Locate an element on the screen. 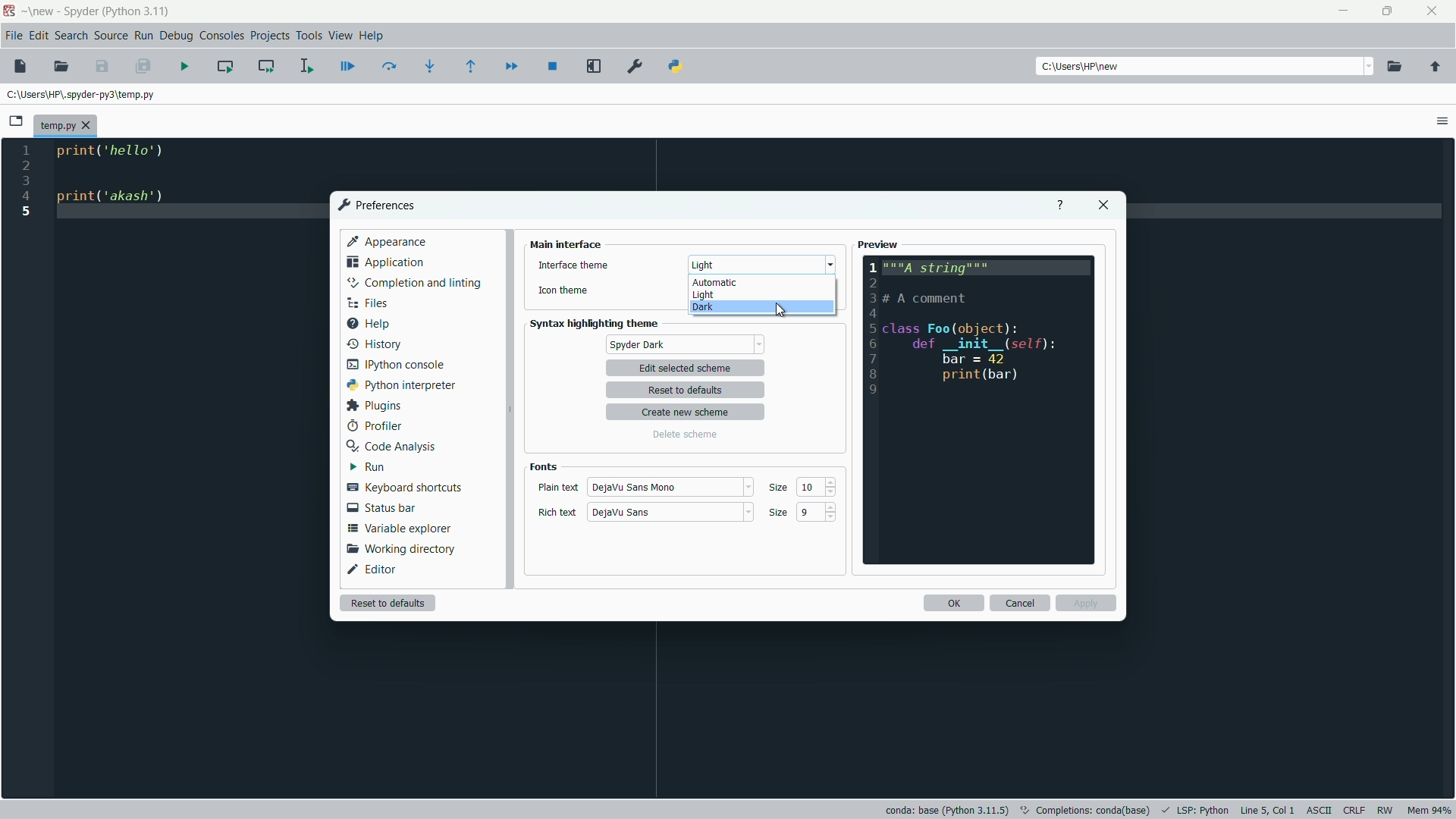  light is located at coordinates (703, 296).